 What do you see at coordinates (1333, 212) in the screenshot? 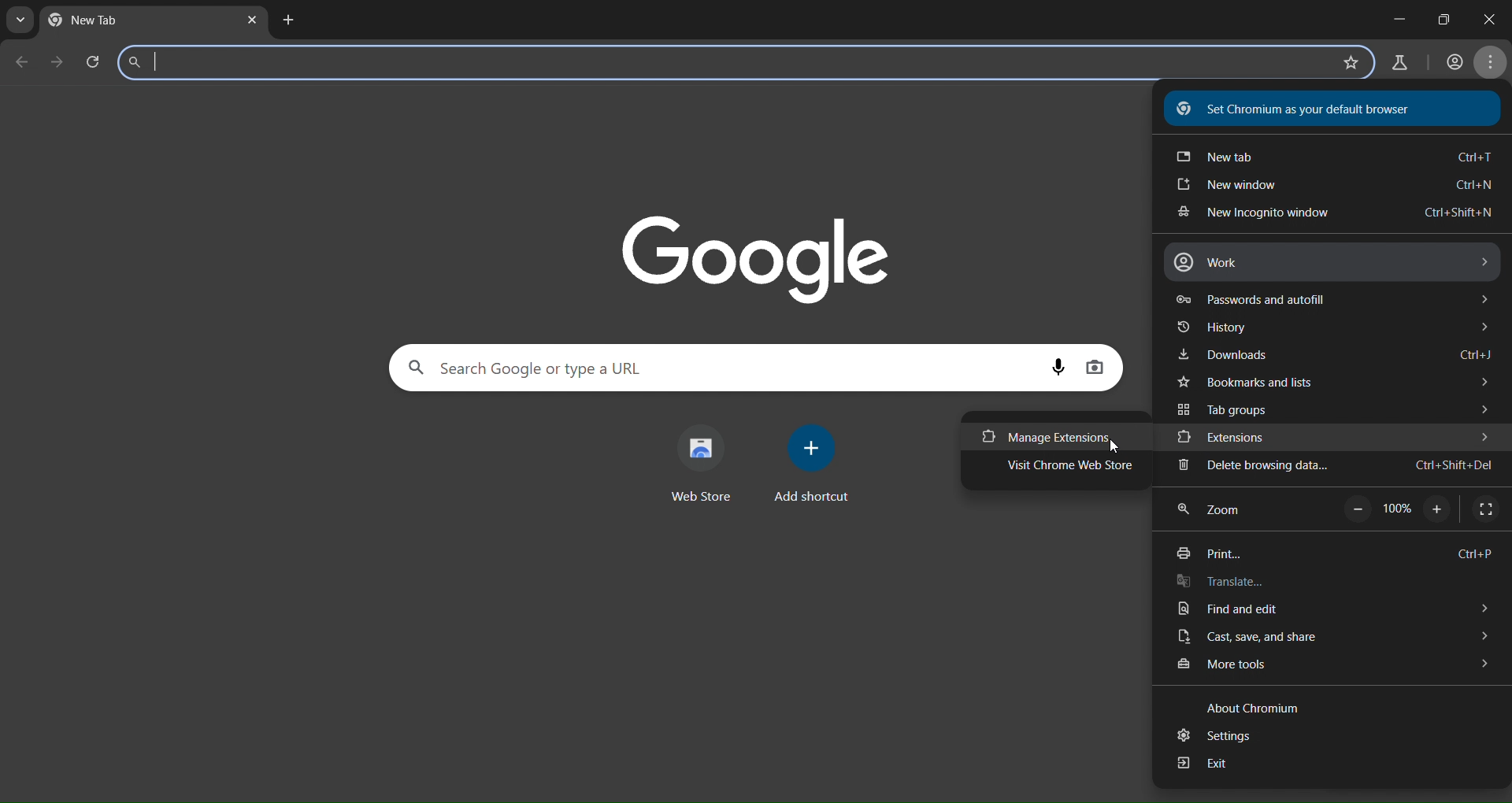
I see `new incognito window` at bounding box center [1333, 212].